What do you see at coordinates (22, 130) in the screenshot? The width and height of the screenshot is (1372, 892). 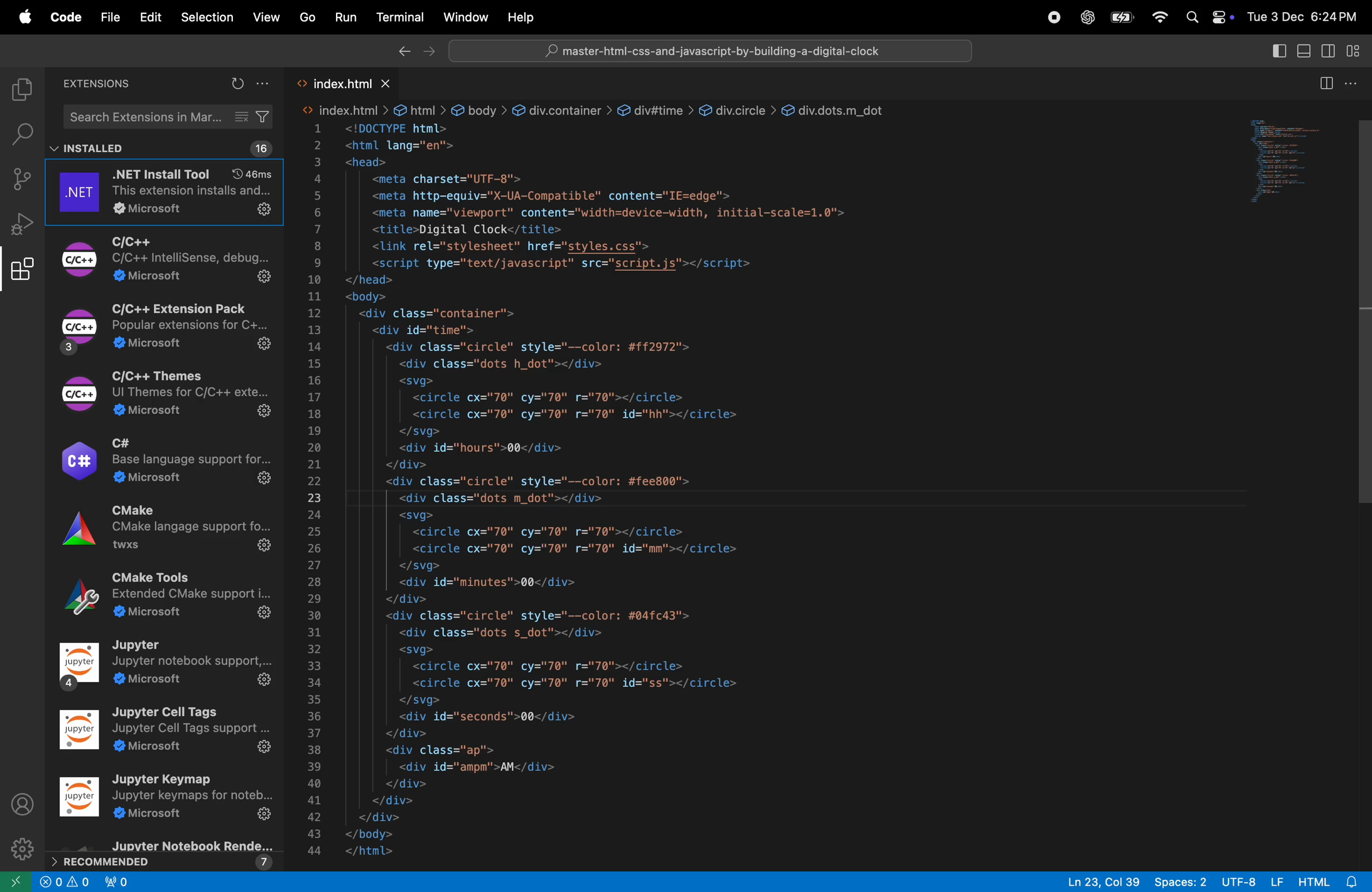 I see `search` at bounding box center [22, 130].